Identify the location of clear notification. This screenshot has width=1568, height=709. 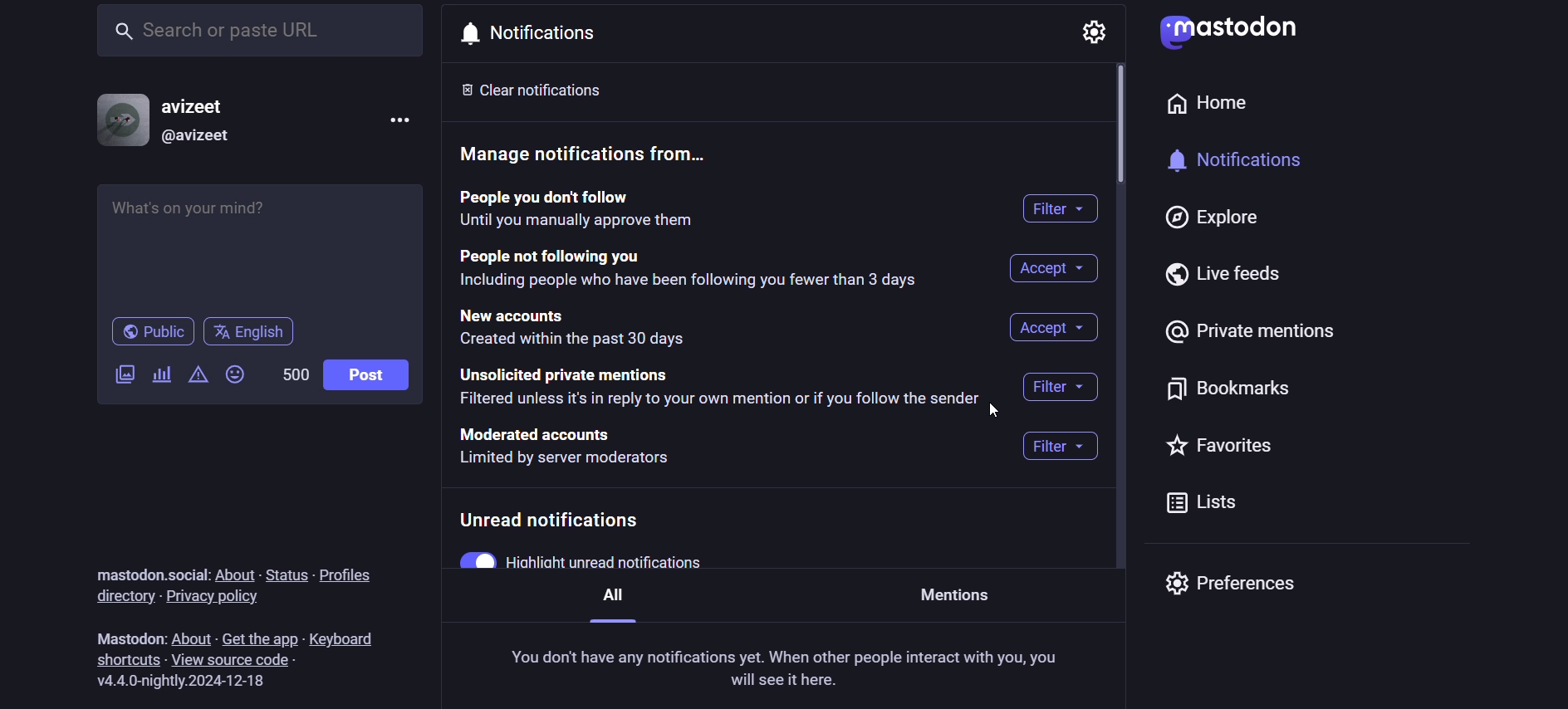
(539, 90).